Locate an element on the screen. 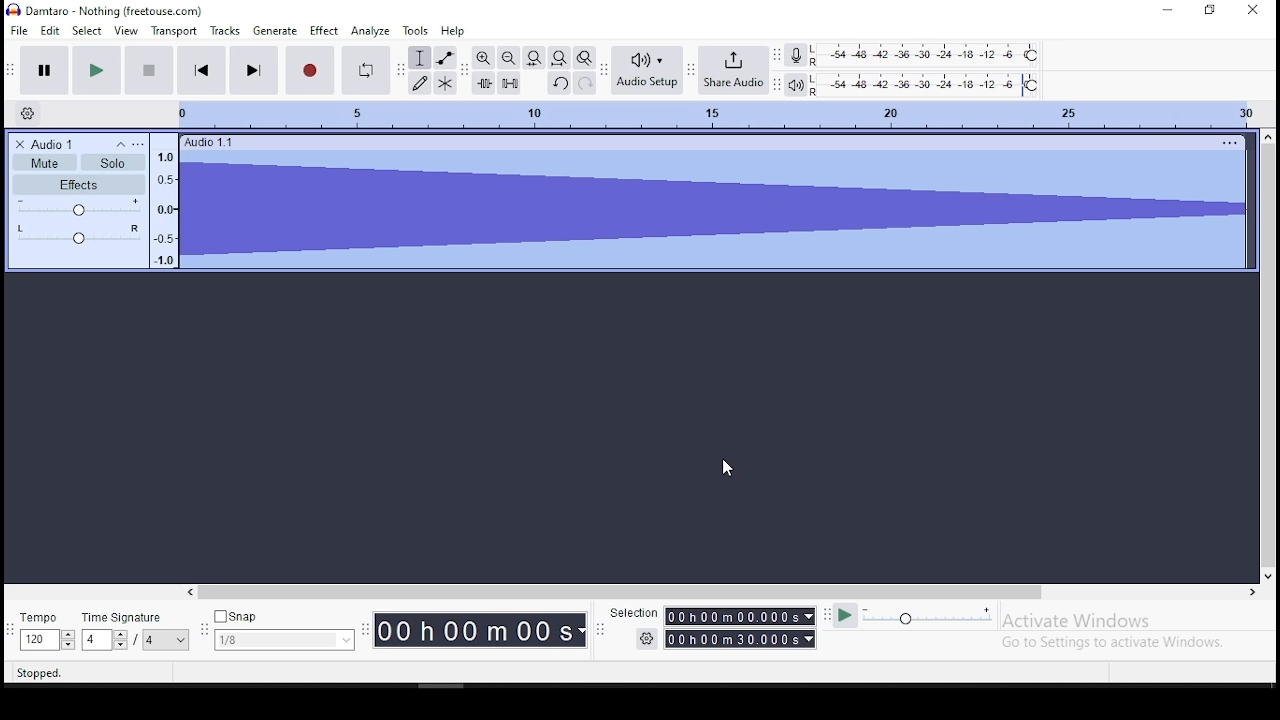  show menu is located at coordinates (366, 639).